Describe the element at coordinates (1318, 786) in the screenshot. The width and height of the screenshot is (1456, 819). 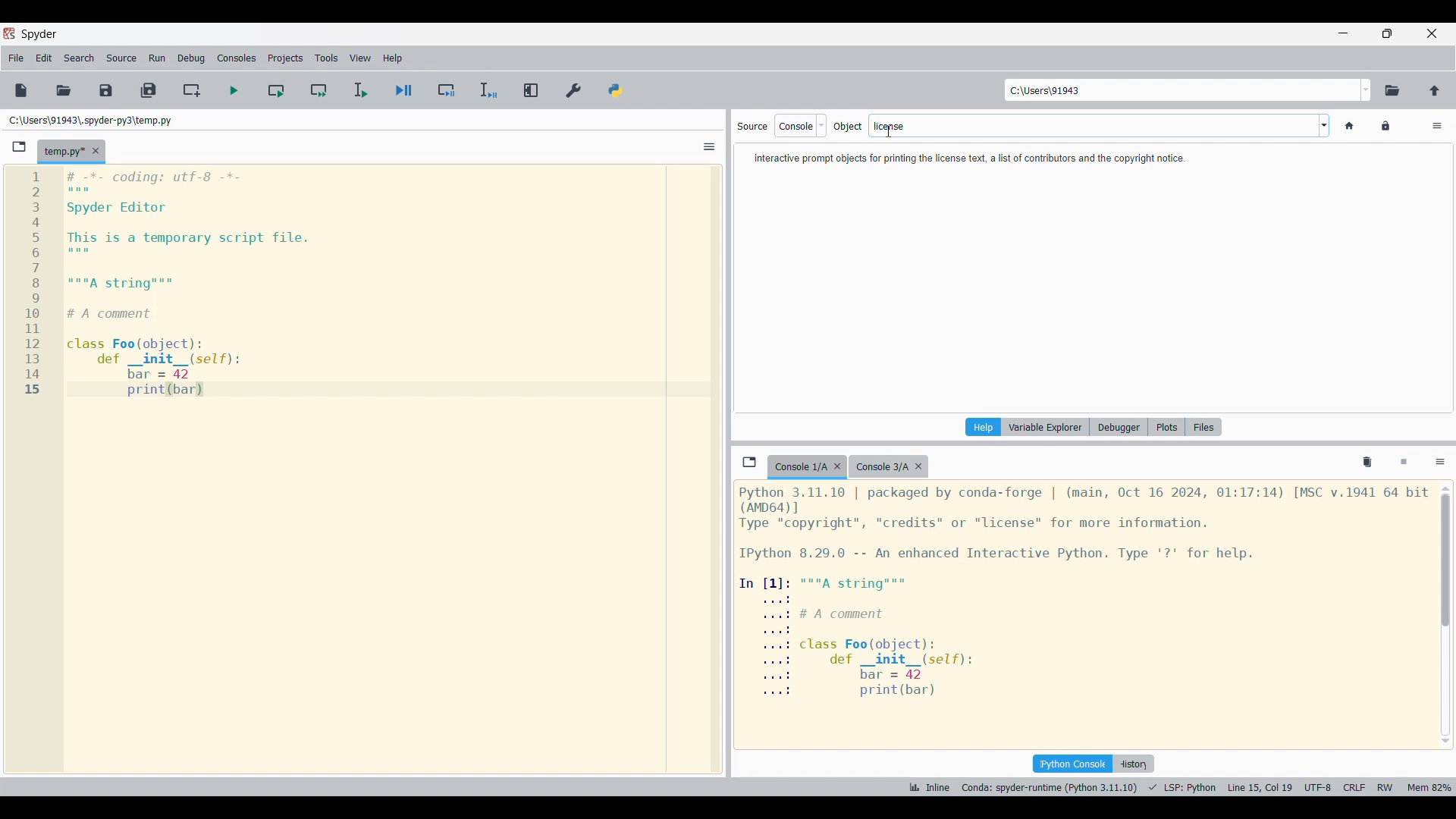
I see `UTF 8` at that location.